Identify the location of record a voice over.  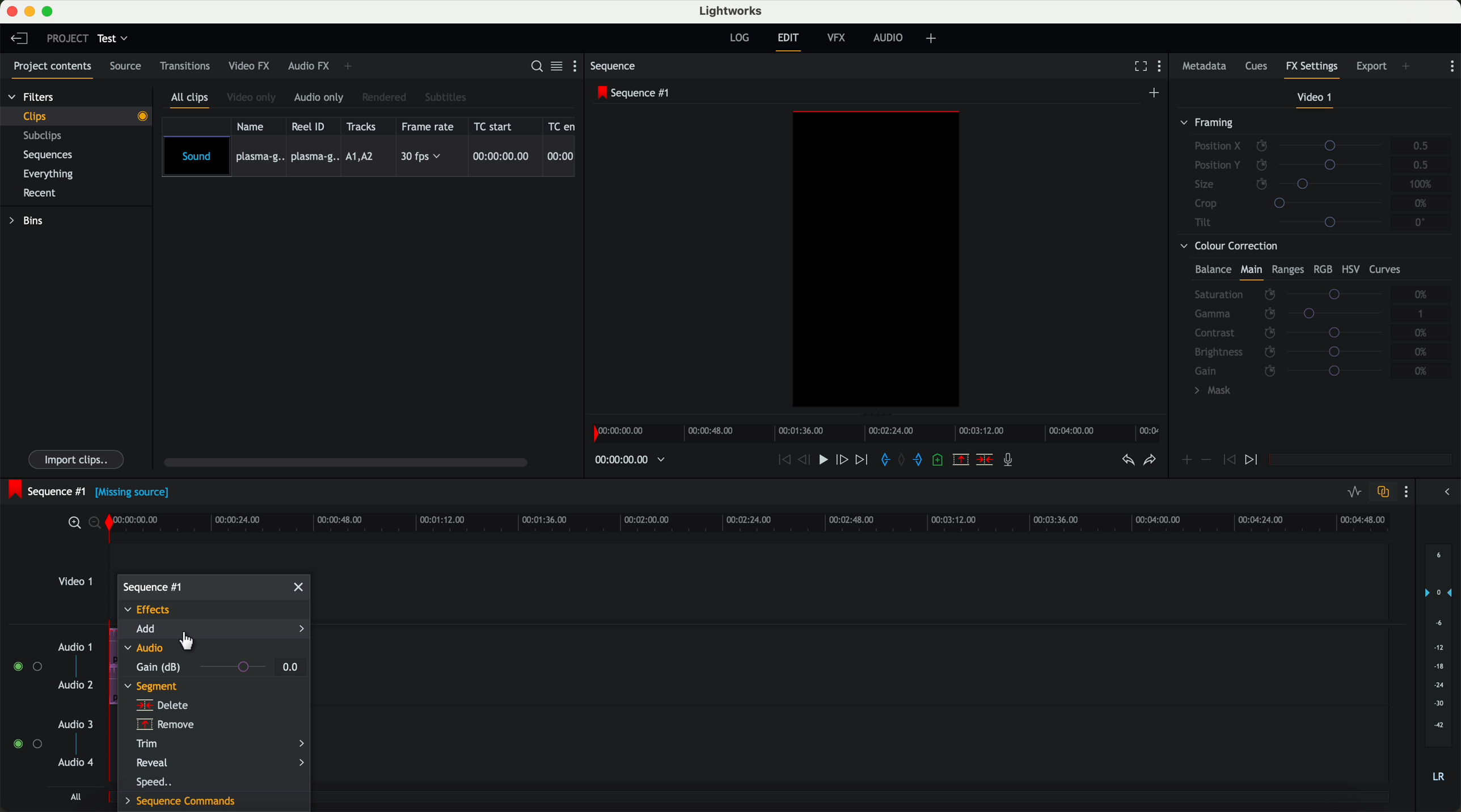
(1011, 462).